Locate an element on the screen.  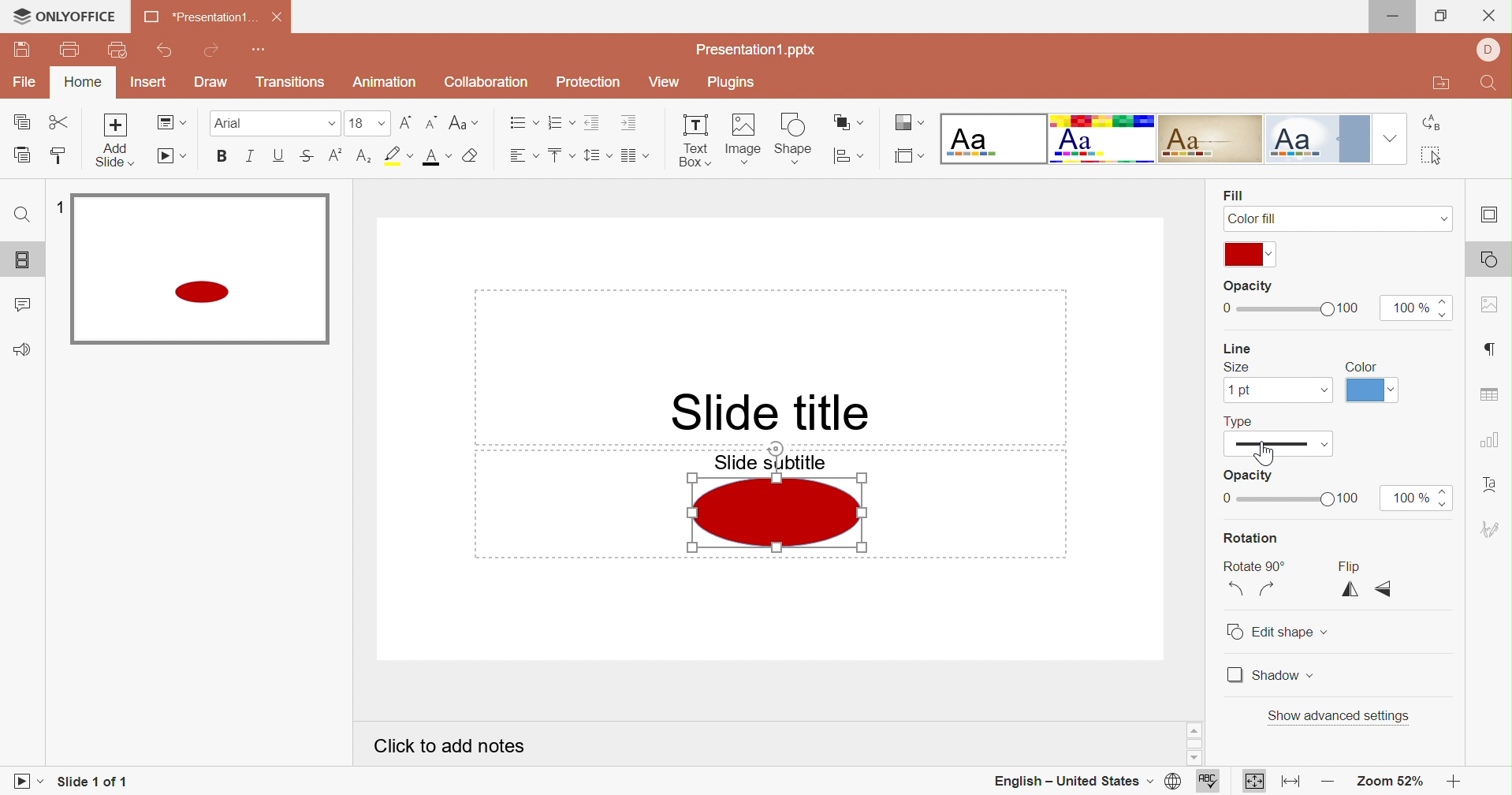
Fit to width is located at coordinates (1293, 784).